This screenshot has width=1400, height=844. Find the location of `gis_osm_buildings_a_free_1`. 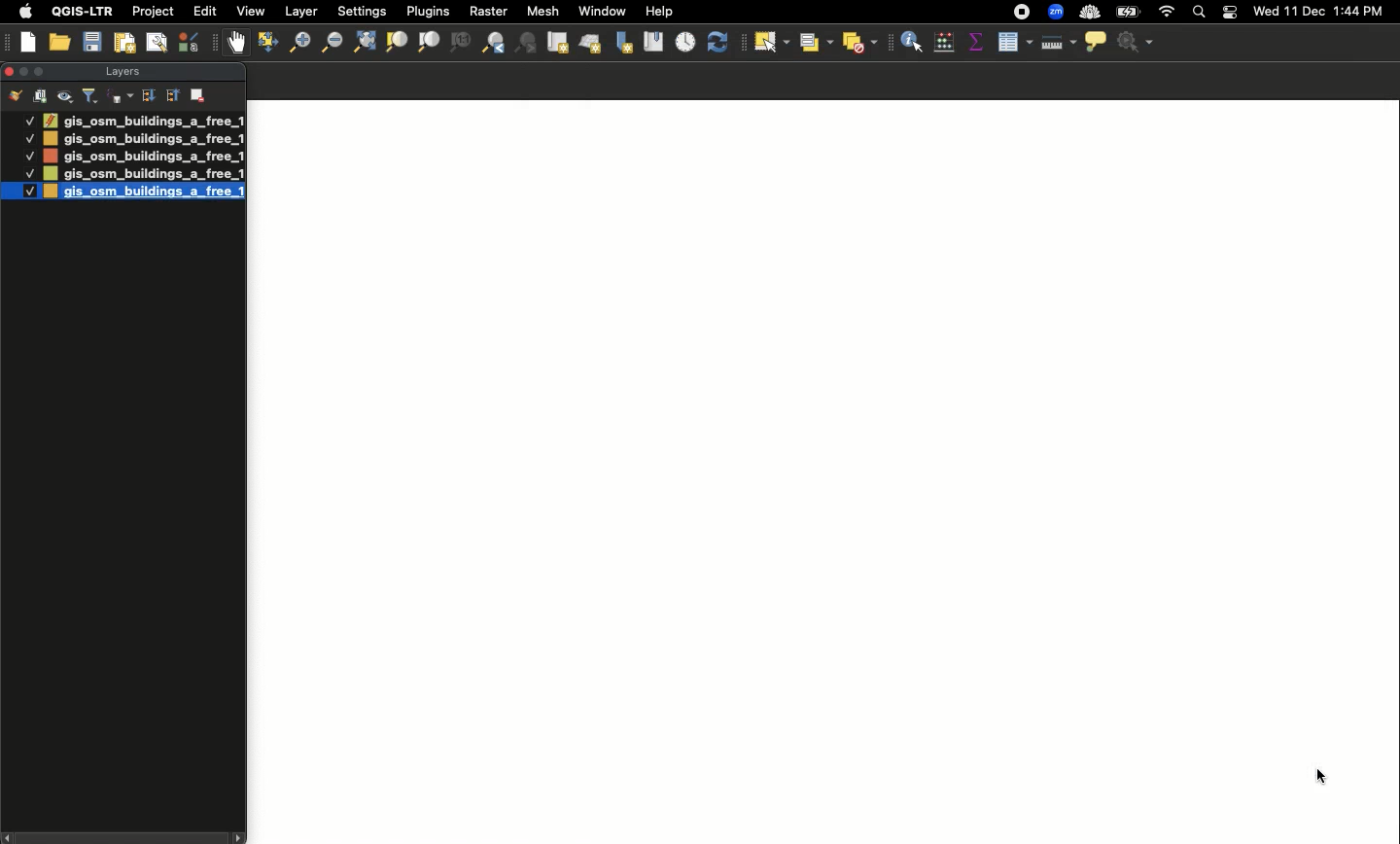

gis_osm_buildings_a_free_1 is located at coordinates (143, 120).